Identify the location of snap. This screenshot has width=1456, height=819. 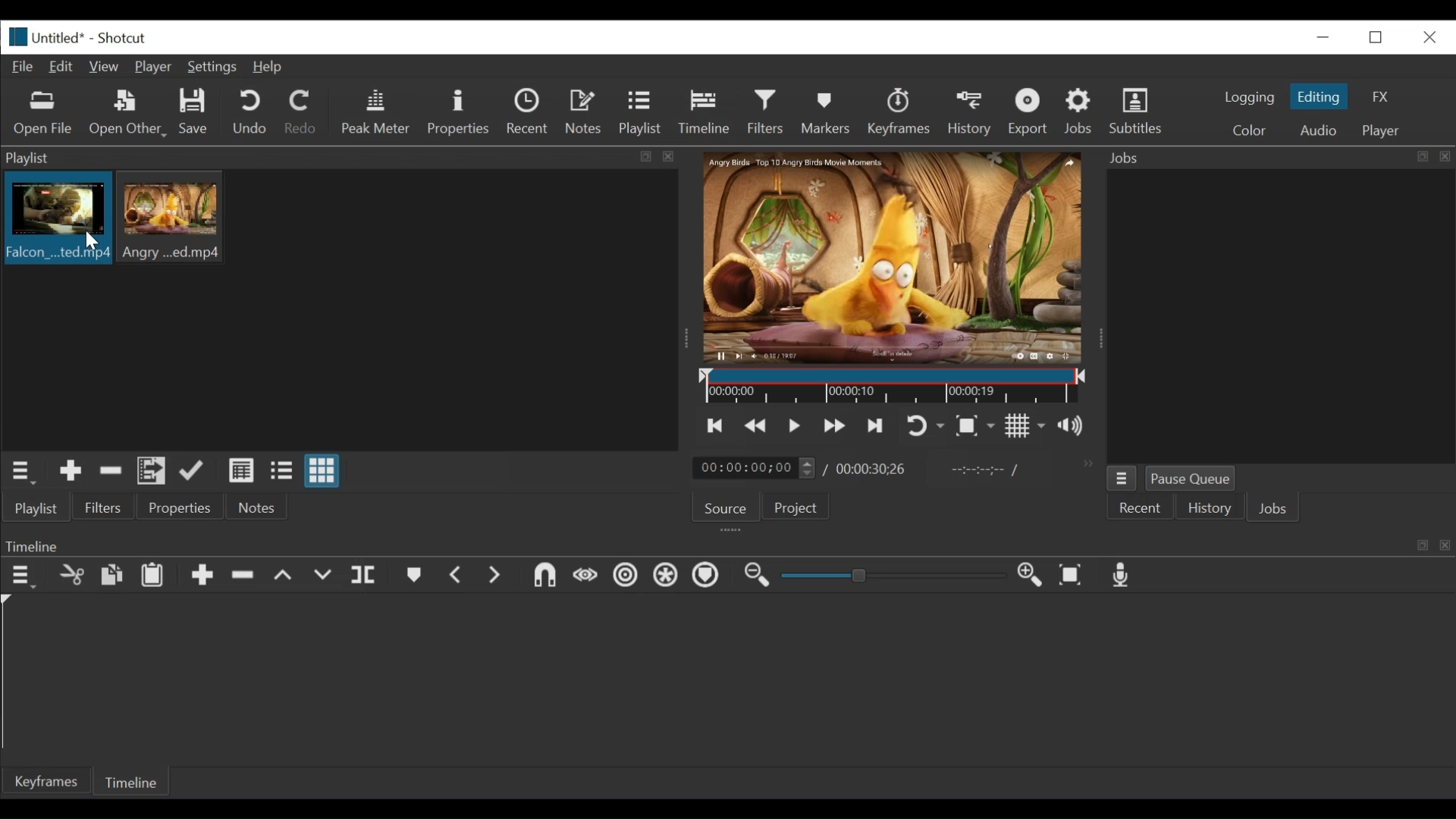
(547, 577).